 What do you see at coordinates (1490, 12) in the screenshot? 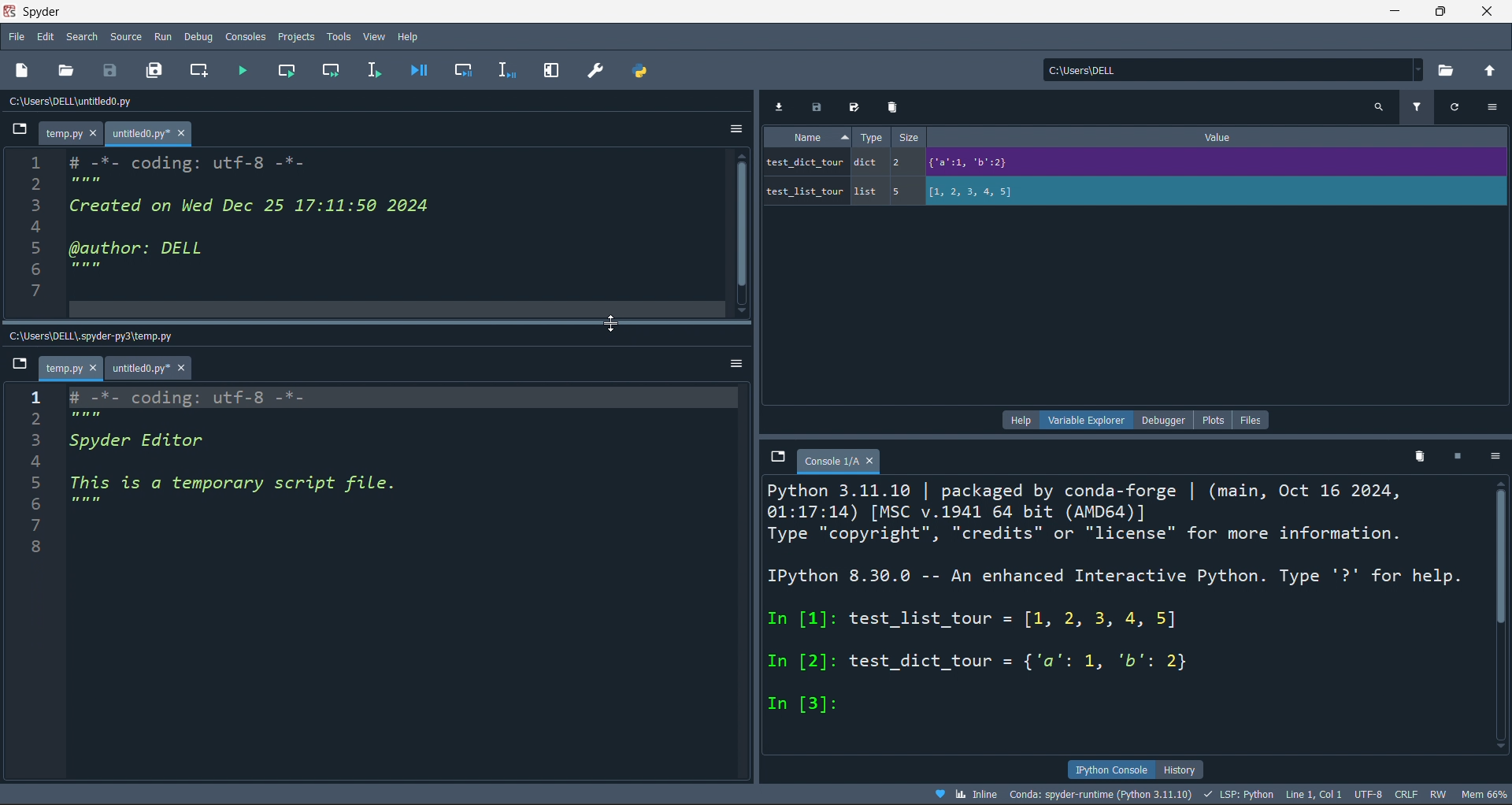
I see `close` at bounding box center [1490, 12].